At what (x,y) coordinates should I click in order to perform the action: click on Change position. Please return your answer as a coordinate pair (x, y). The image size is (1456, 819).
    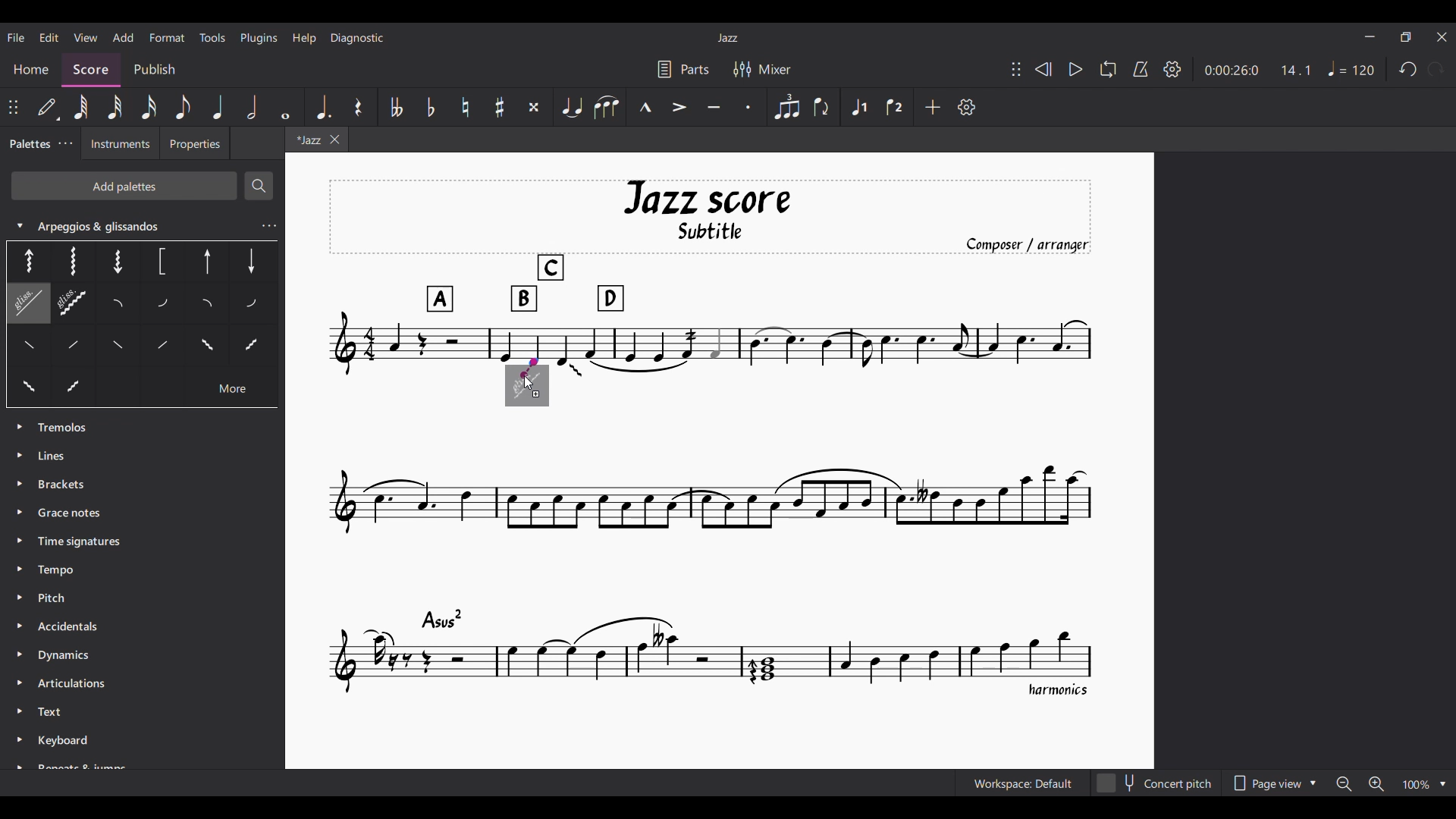
    Looking at the image, I should click on (1016, 69).